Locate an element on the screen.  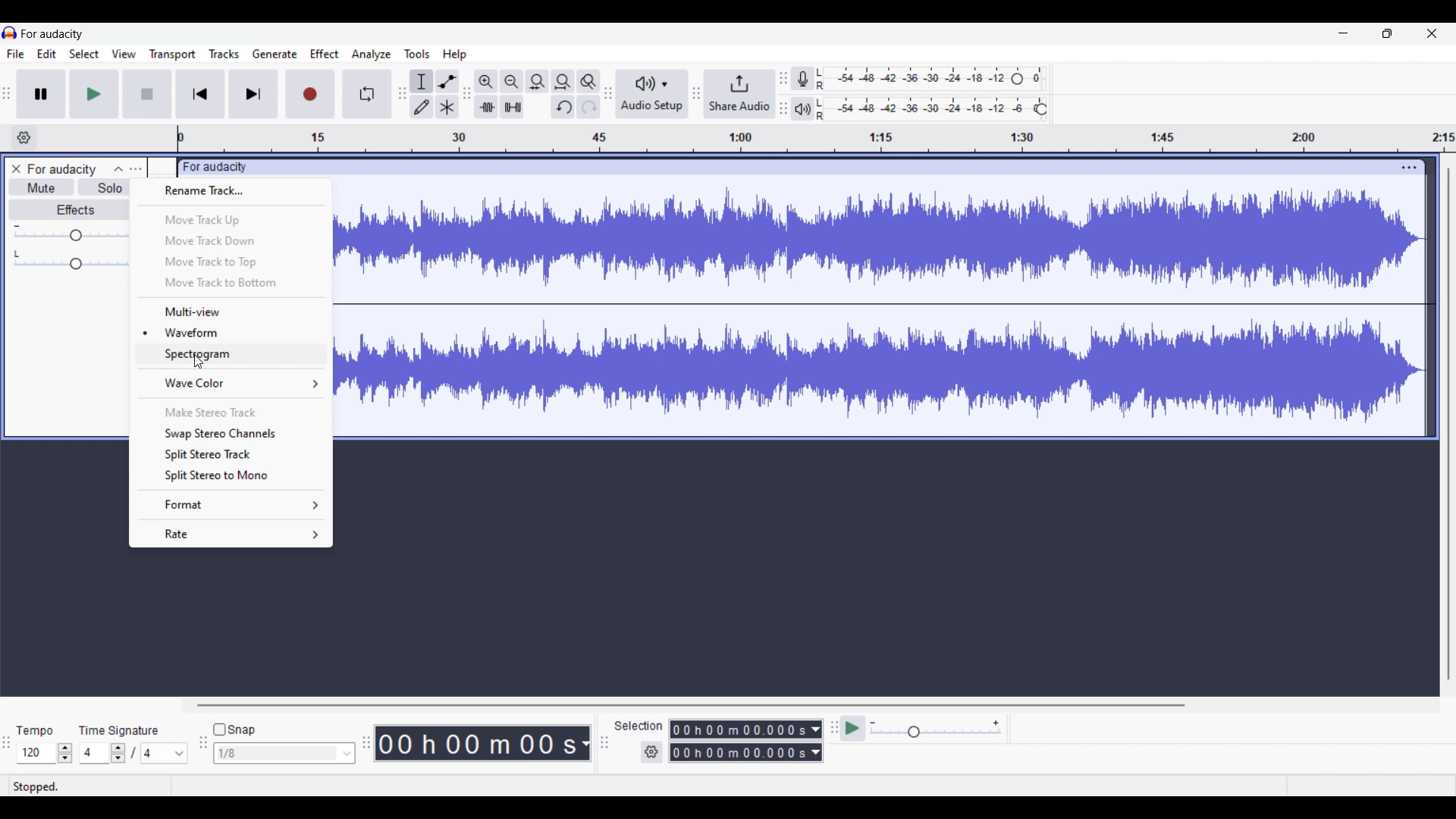
Format options is located at coordinates (232, 504).